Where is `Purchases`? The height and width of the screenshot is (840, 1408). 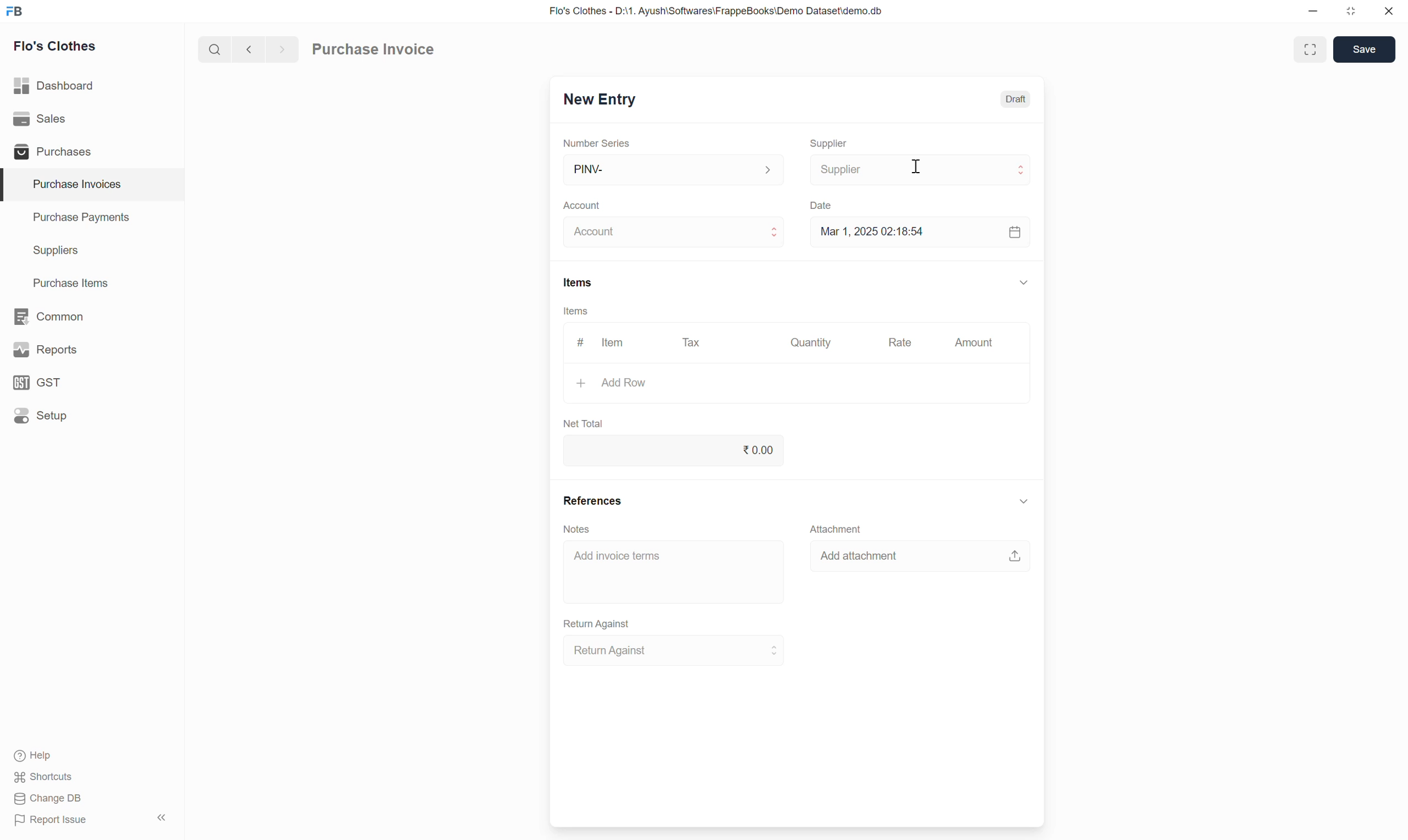 Purchases is located at coordinates (91, 151).